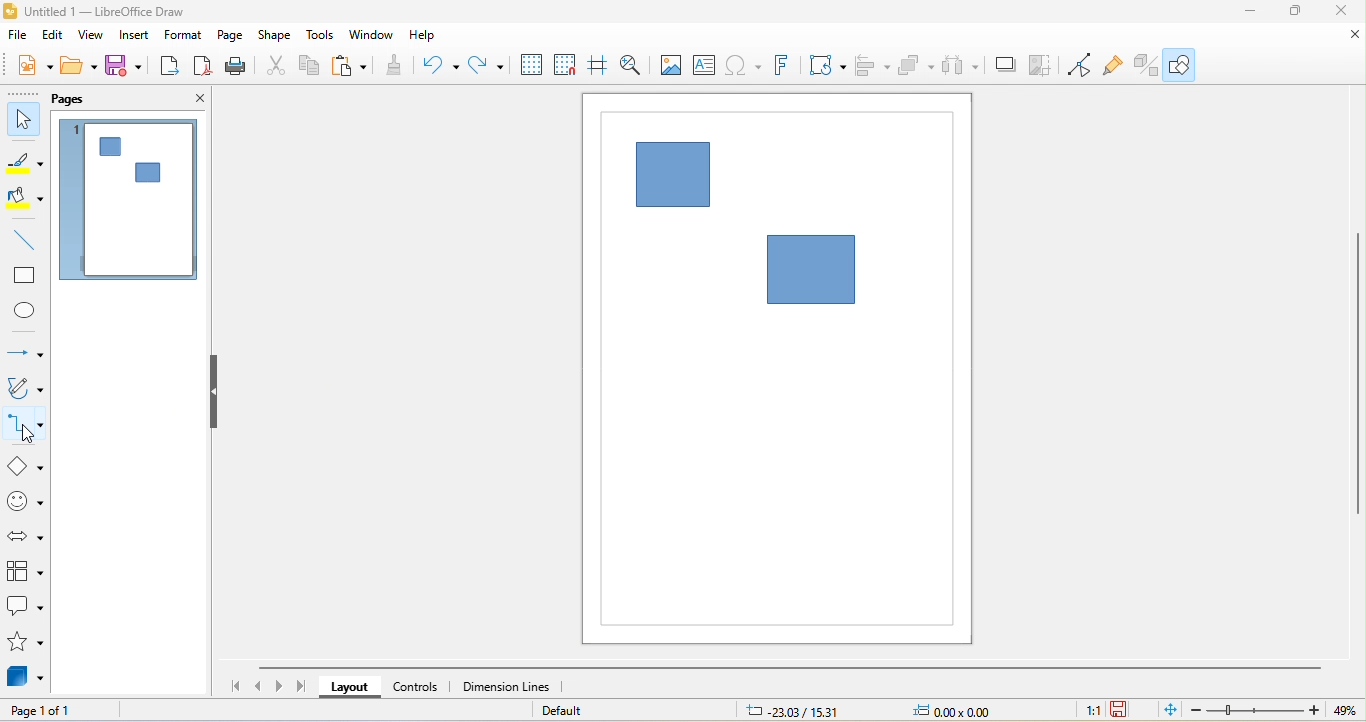  I want to click on redo, so click(487, 67).